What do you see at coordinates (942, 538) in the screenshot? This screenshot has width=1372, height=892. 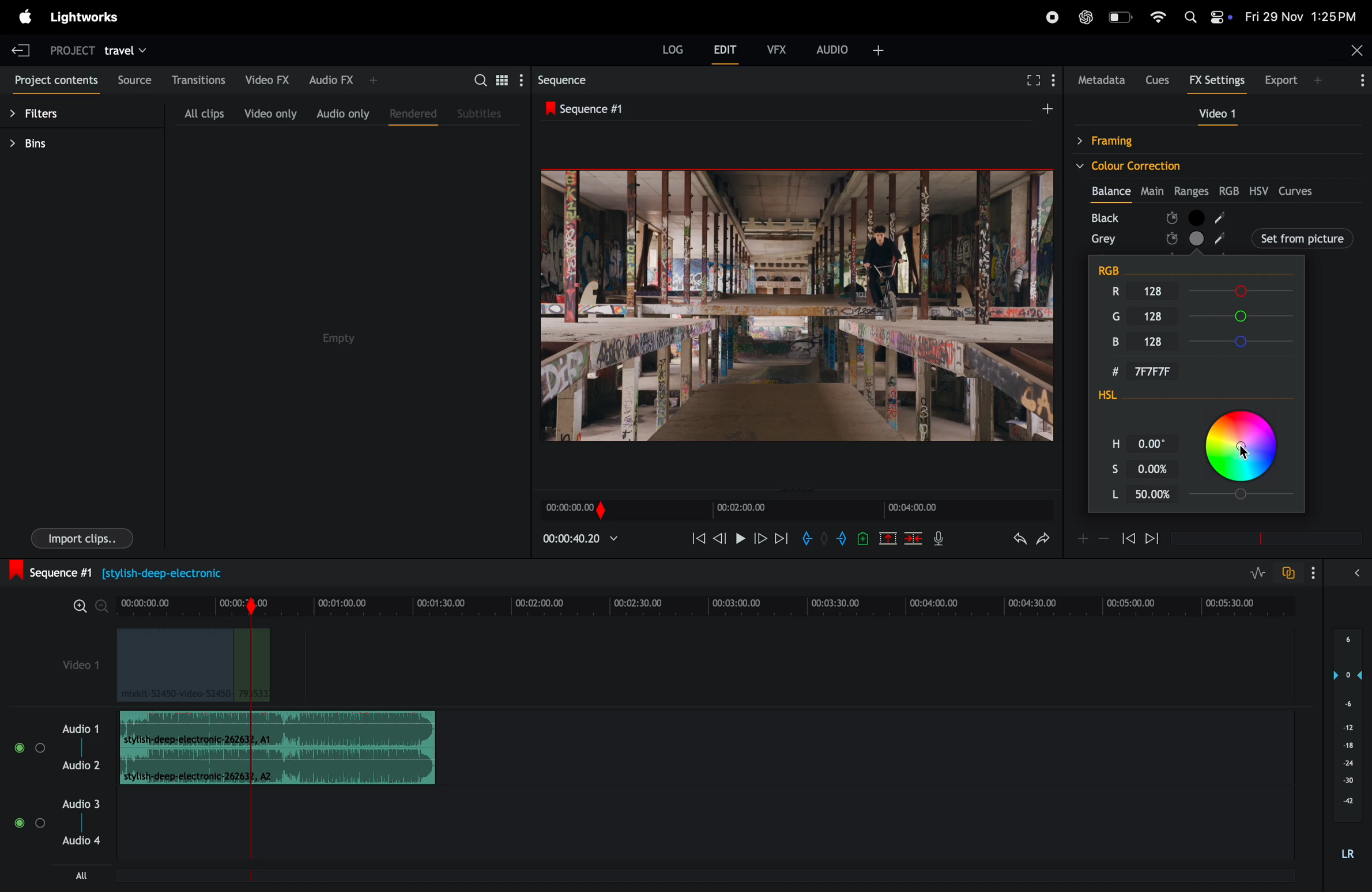 I see `mic` at bounding box center [942, 538].